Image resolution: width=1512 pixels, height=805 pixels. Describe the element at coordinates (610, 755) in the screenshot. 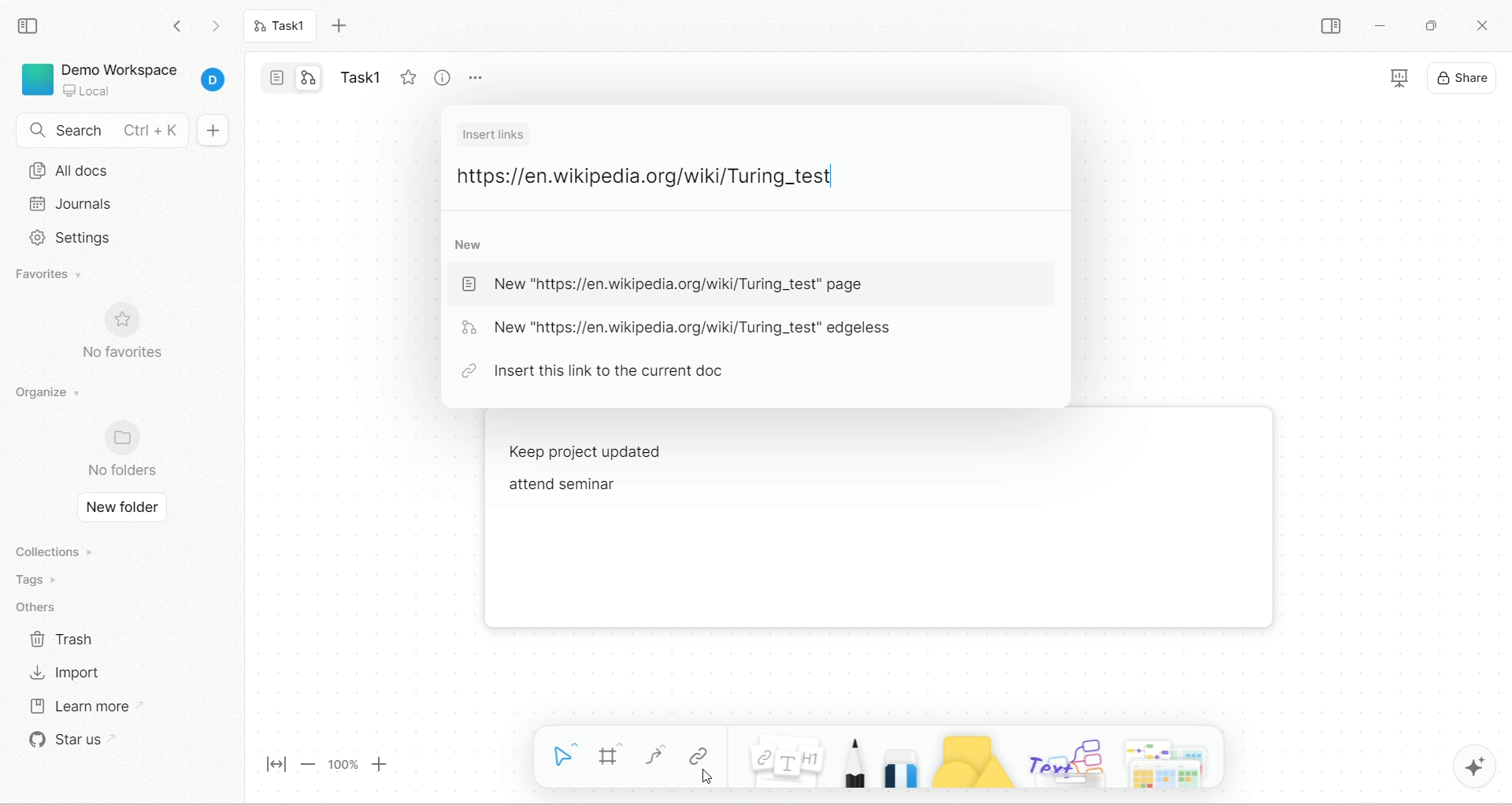

I see `frame` at that location.